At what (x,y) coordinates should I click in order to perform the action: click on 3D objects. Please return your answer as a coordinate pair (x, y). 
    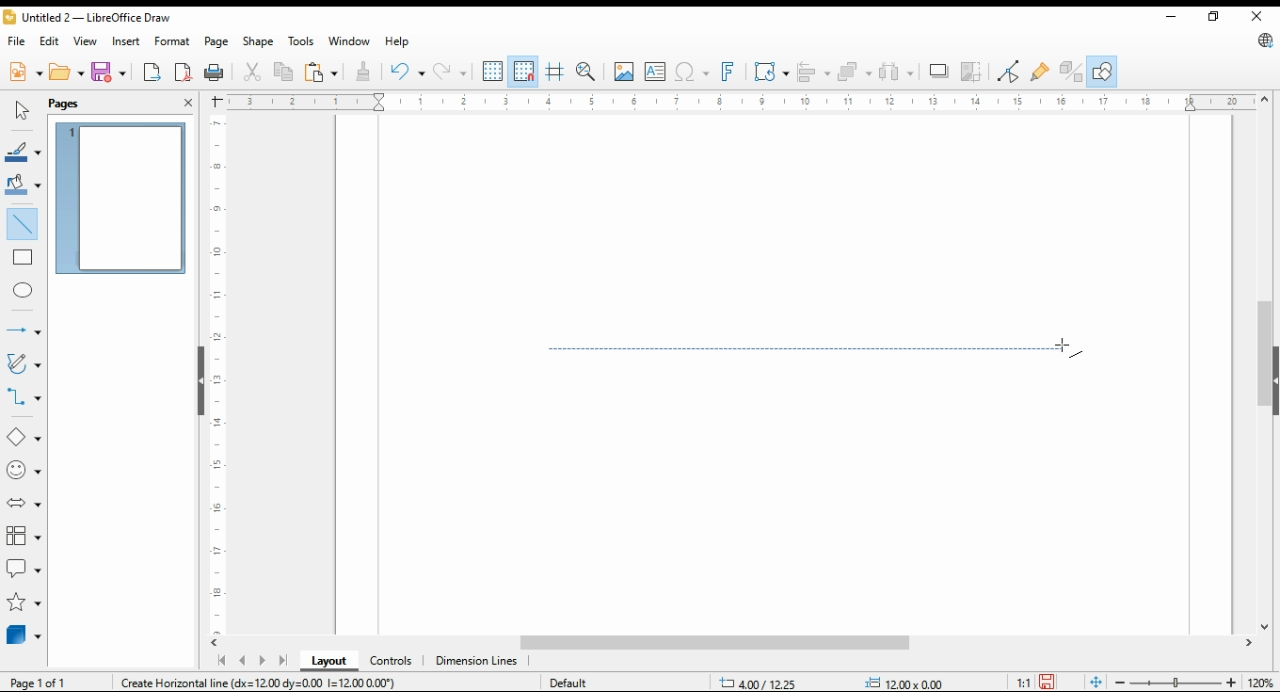
    Looking at the image, I should click on (25, 634).